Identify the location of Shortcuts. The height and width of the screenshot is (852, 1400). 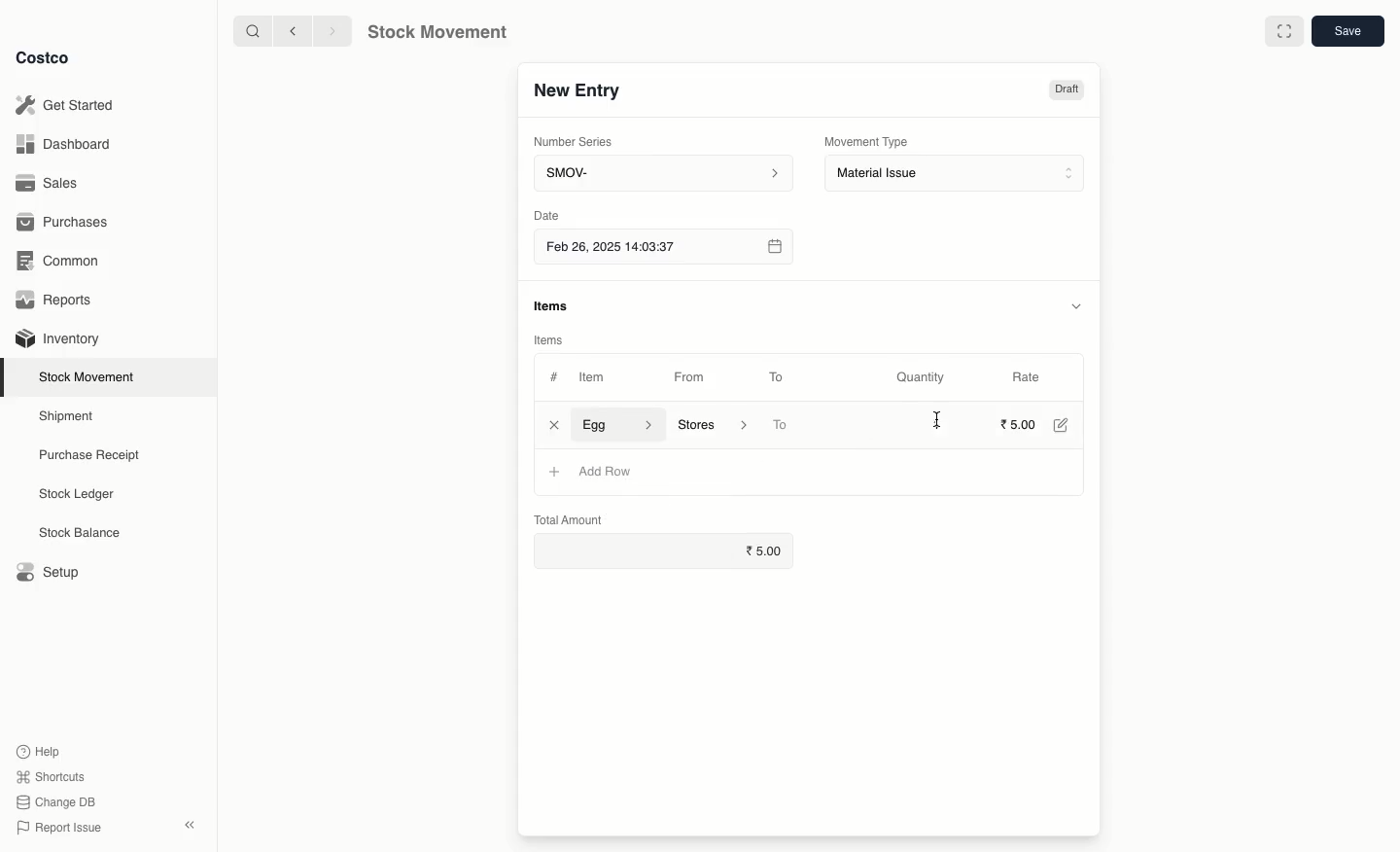
(51, 774).